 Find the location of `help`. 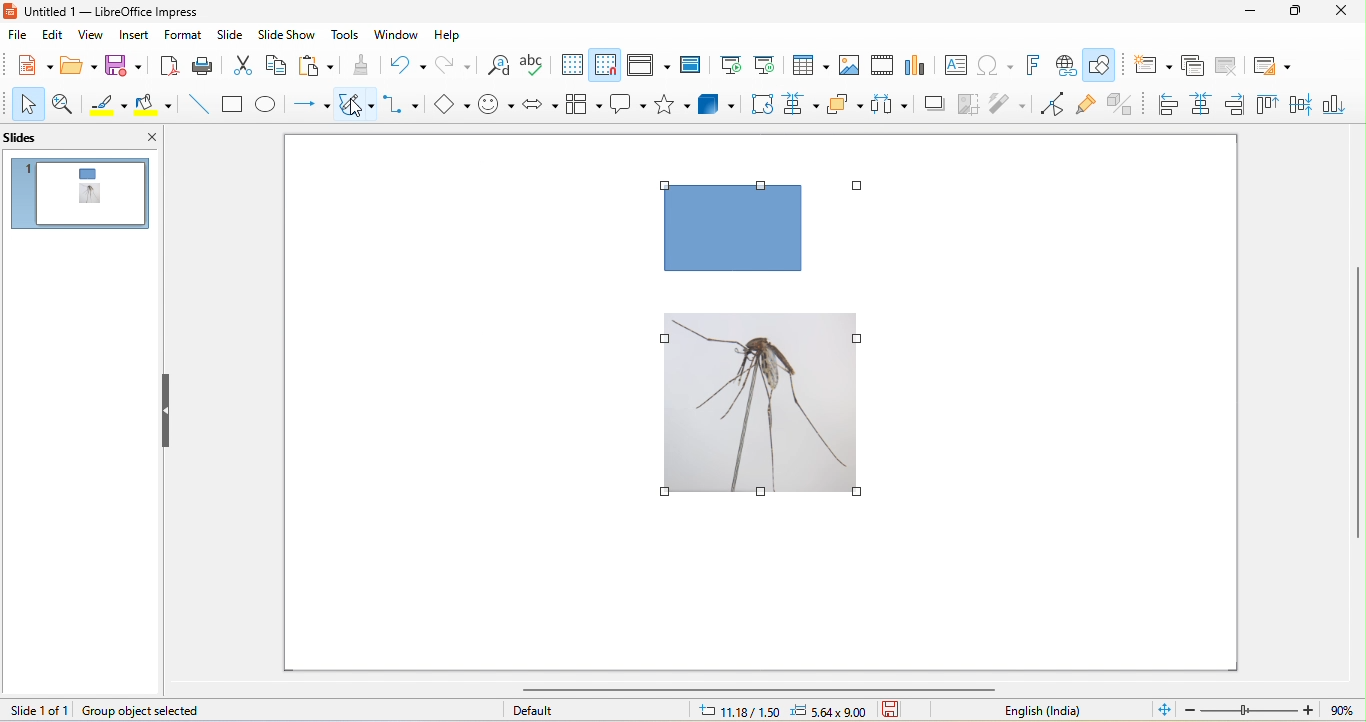

help is located at coordinates (452, 38).